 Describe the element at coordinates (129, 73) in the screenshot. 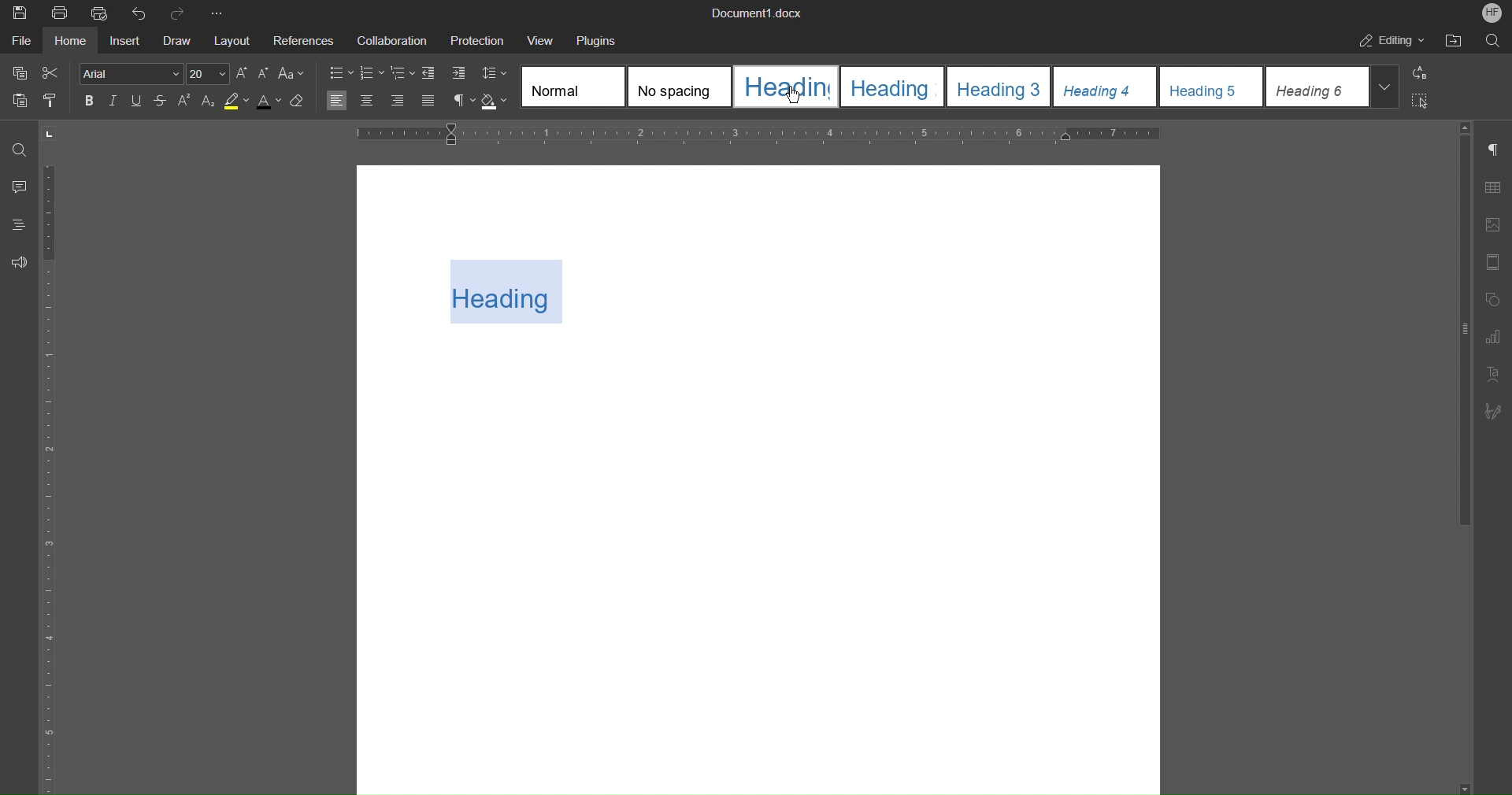

I see `arial` at that location.